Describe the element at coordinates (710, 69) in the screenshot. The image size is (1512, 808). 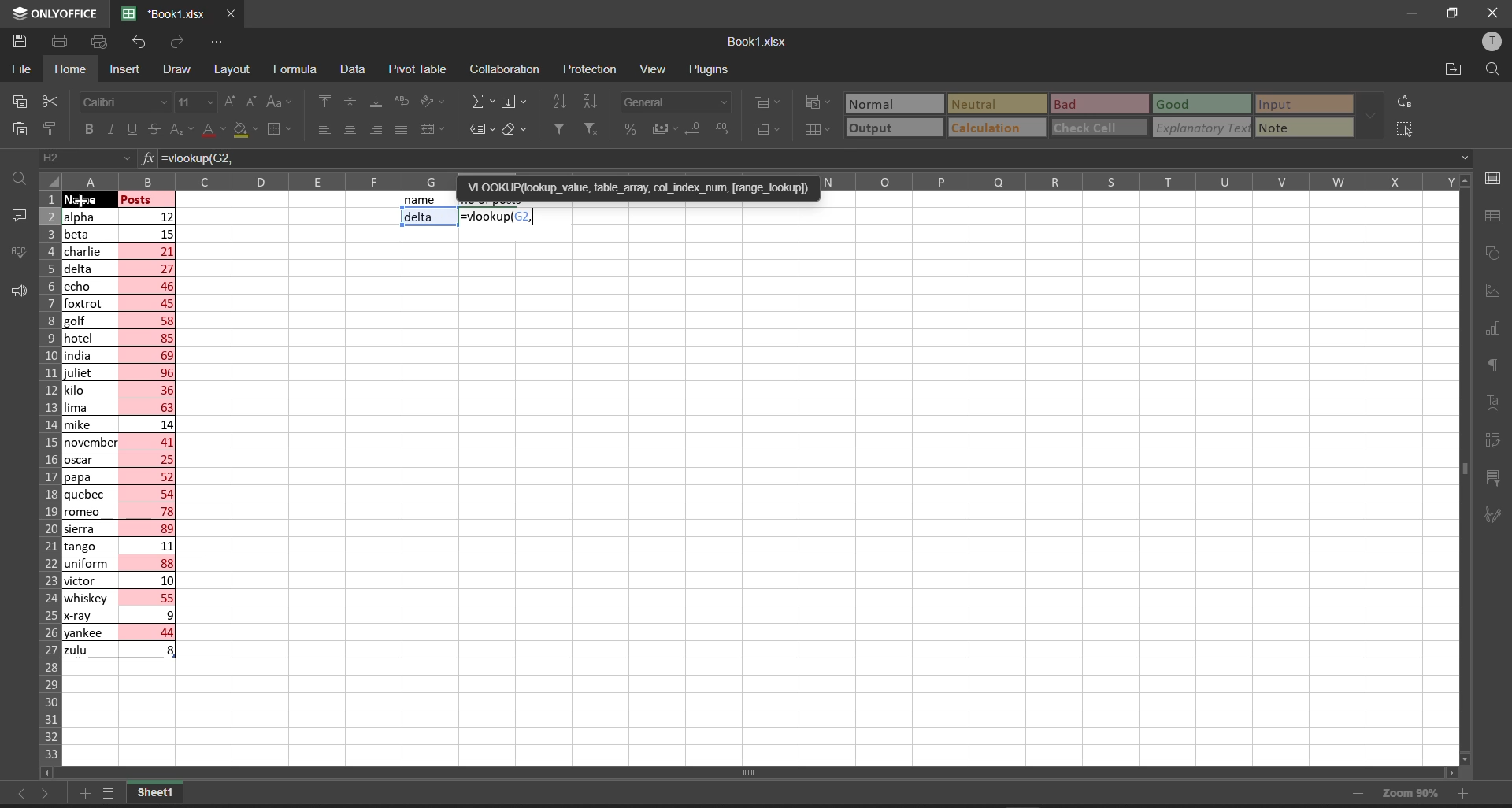
I see `plugins` at that location.